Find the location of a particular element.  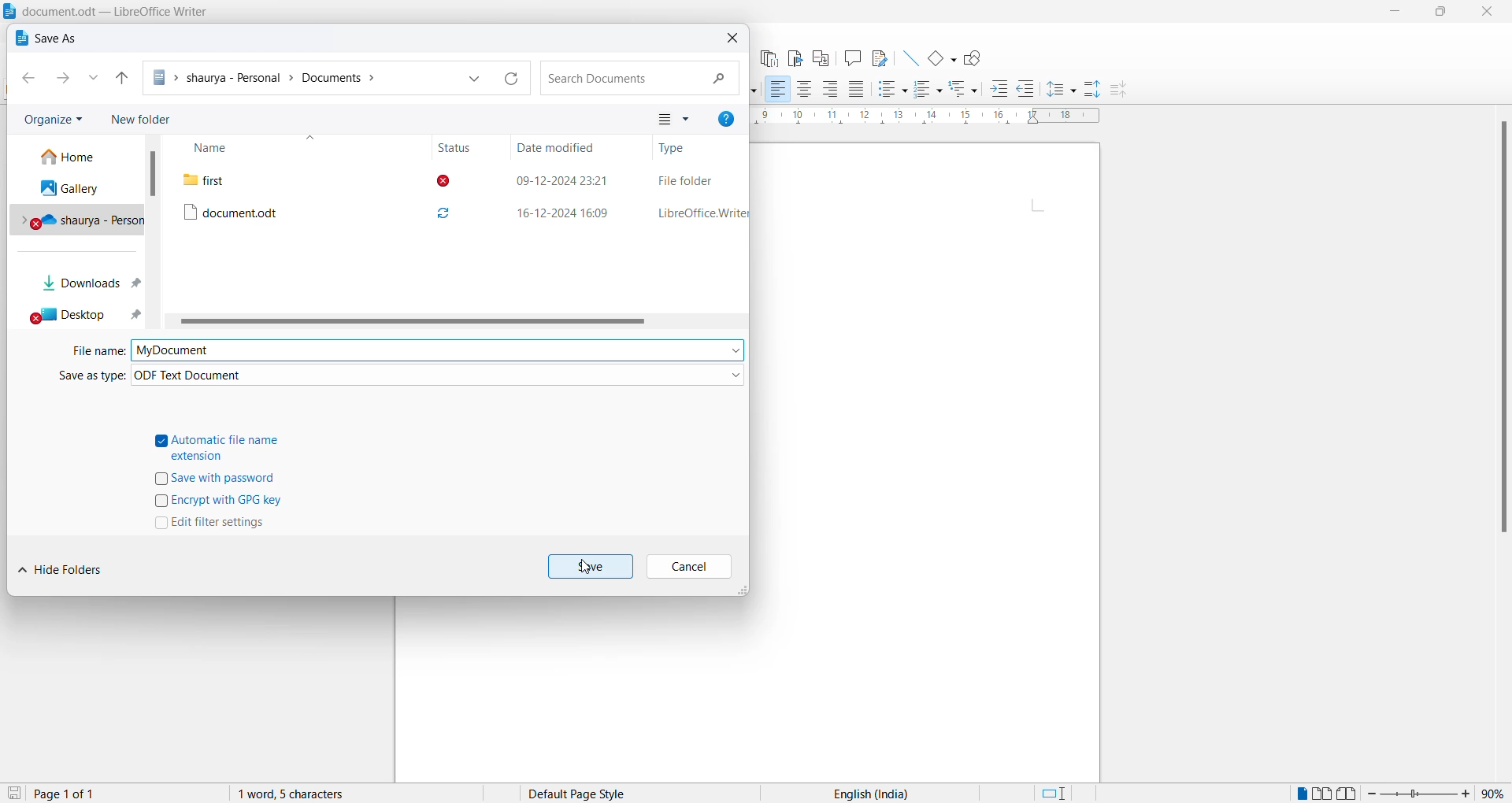

Status is located at coordinates (453, 147).